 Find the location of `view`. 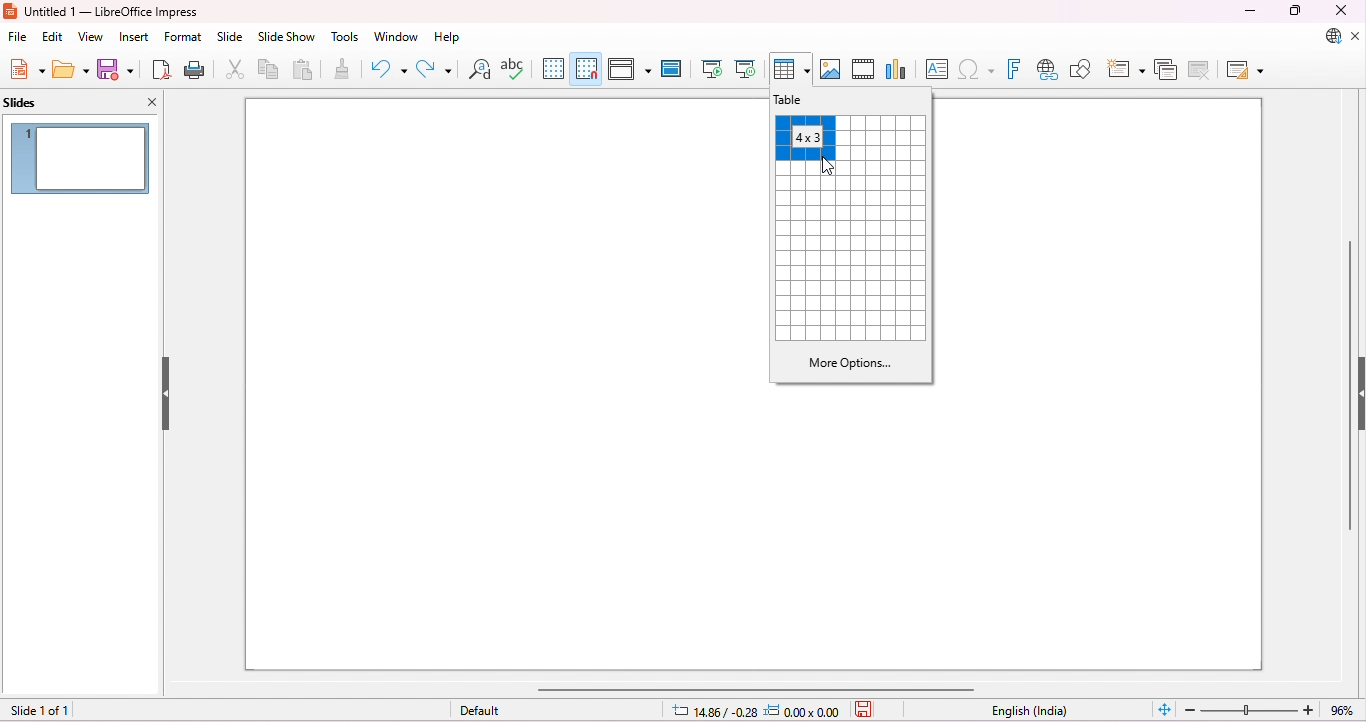

view is located at coordinates (93, 37).